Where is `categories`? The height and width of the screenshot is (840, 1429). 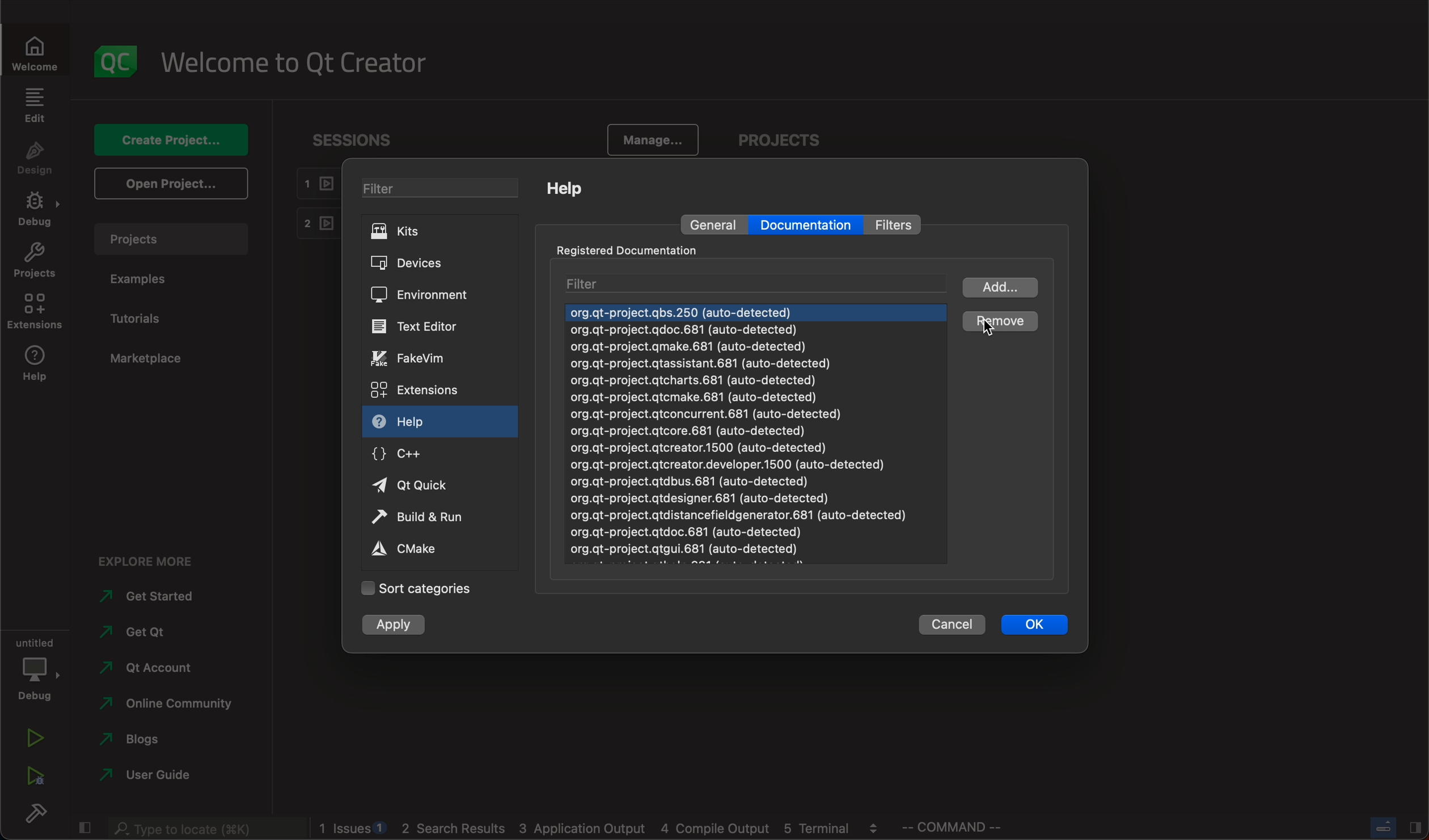 categories is located at coordinates (420, 590).